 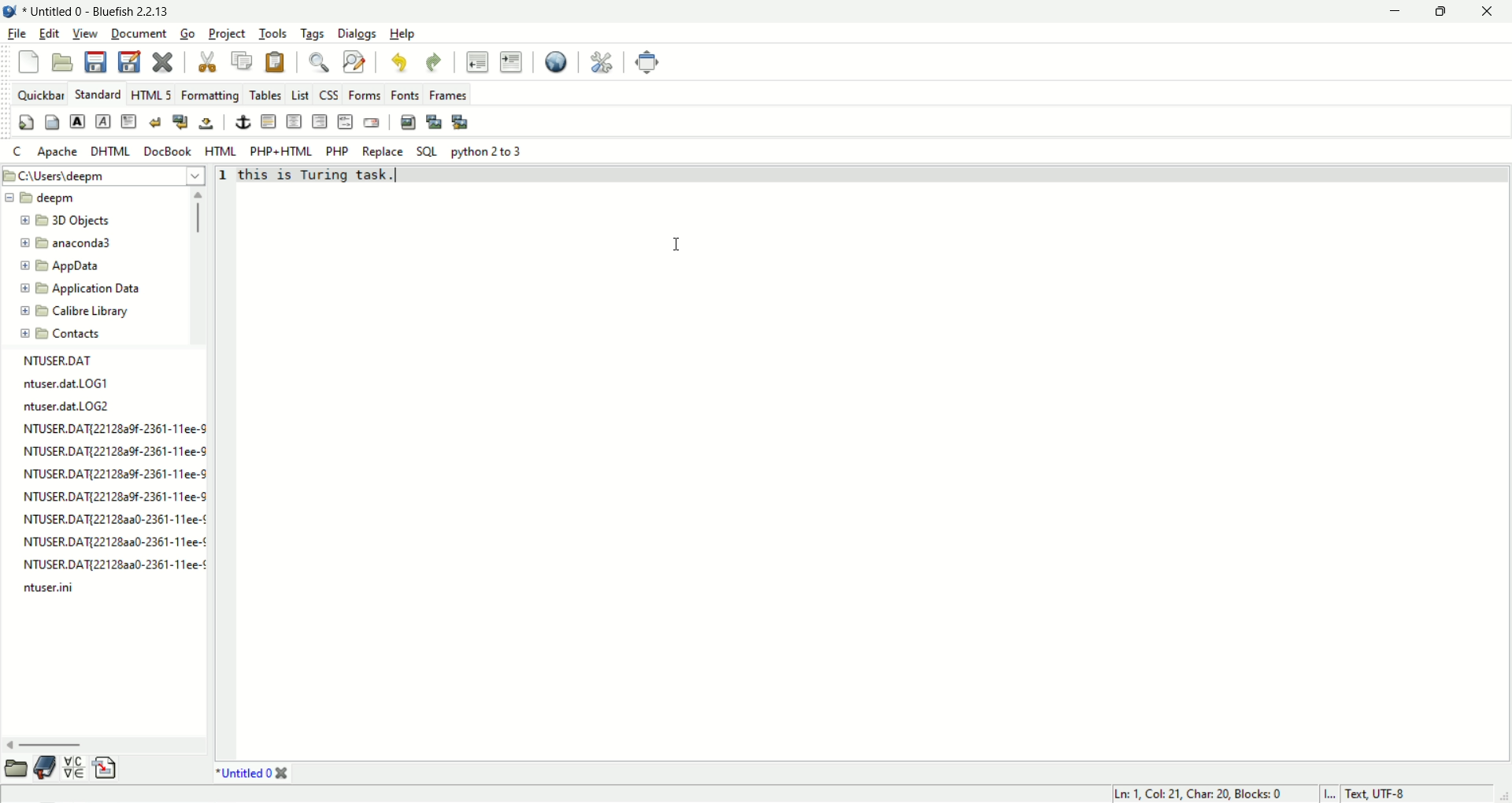 I want to click on right justify, so click(x=321, y=121).